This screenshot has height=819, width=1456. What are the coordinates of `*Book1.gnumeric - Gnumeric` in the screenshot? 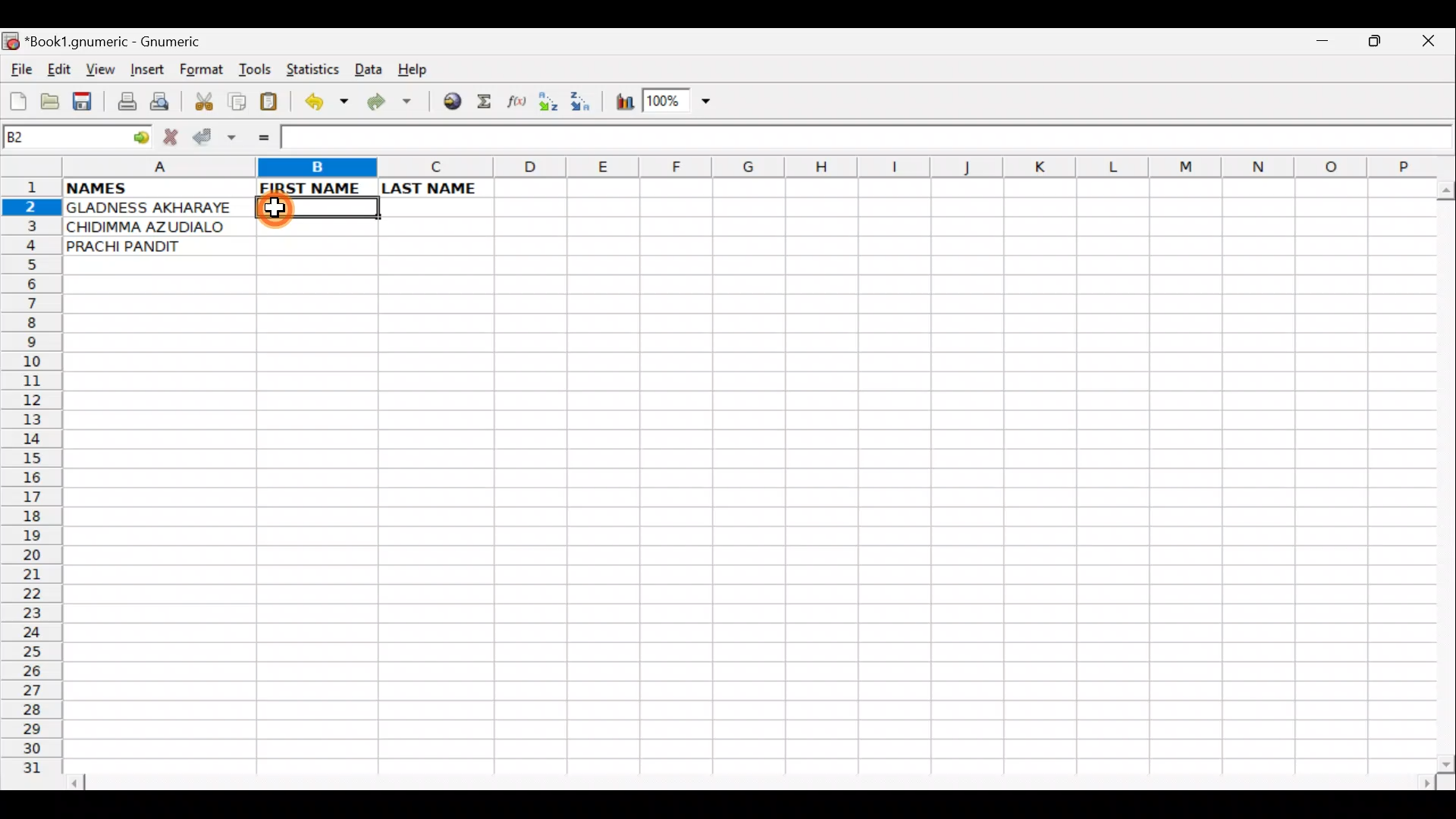 It's located at (127, 42).